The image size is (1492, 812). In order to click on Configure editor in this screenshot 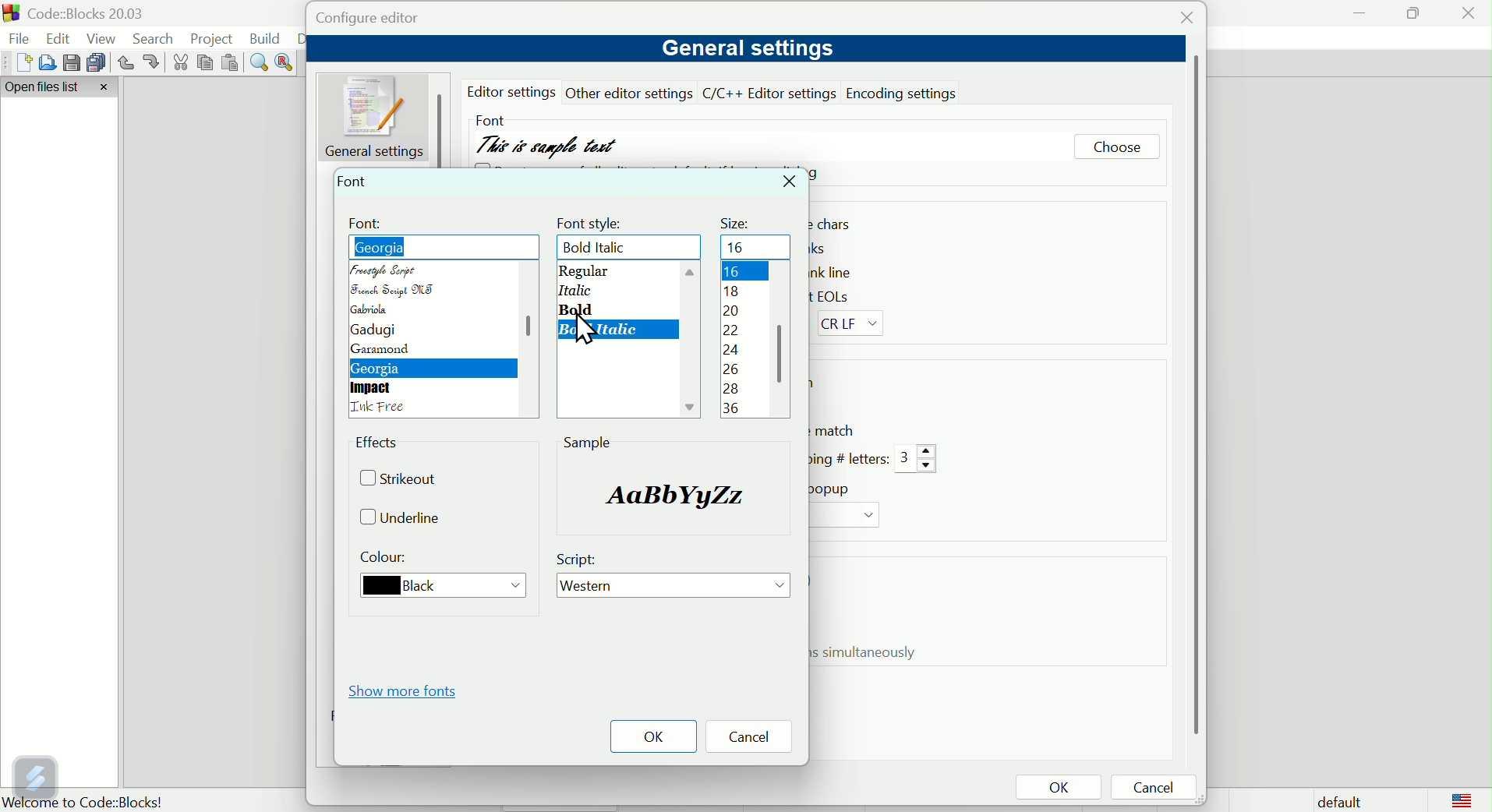, I will do `click(384, 19)`.